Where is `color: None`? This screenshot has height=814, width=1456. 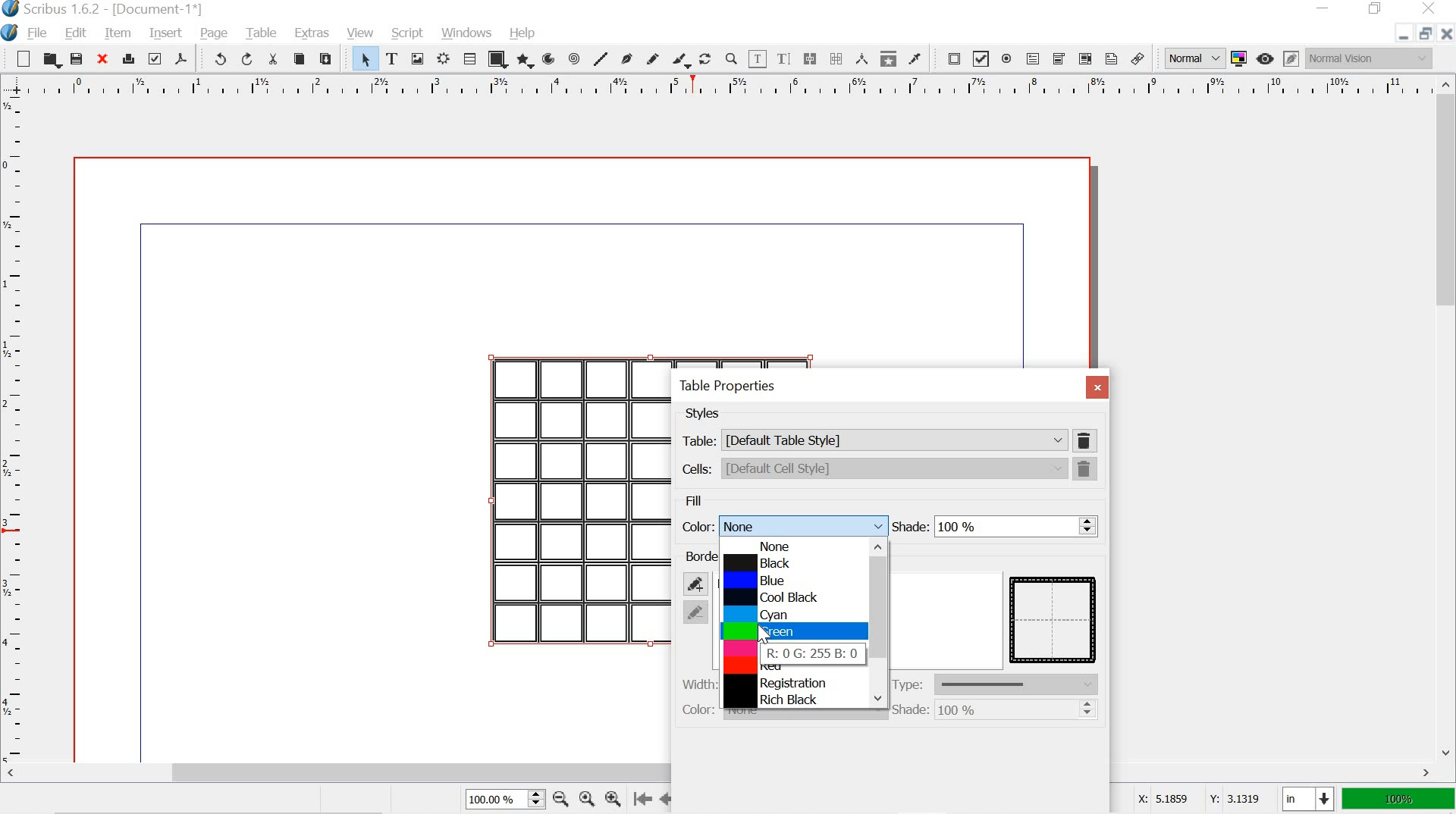
color: None is located at coordinates (783, 715).